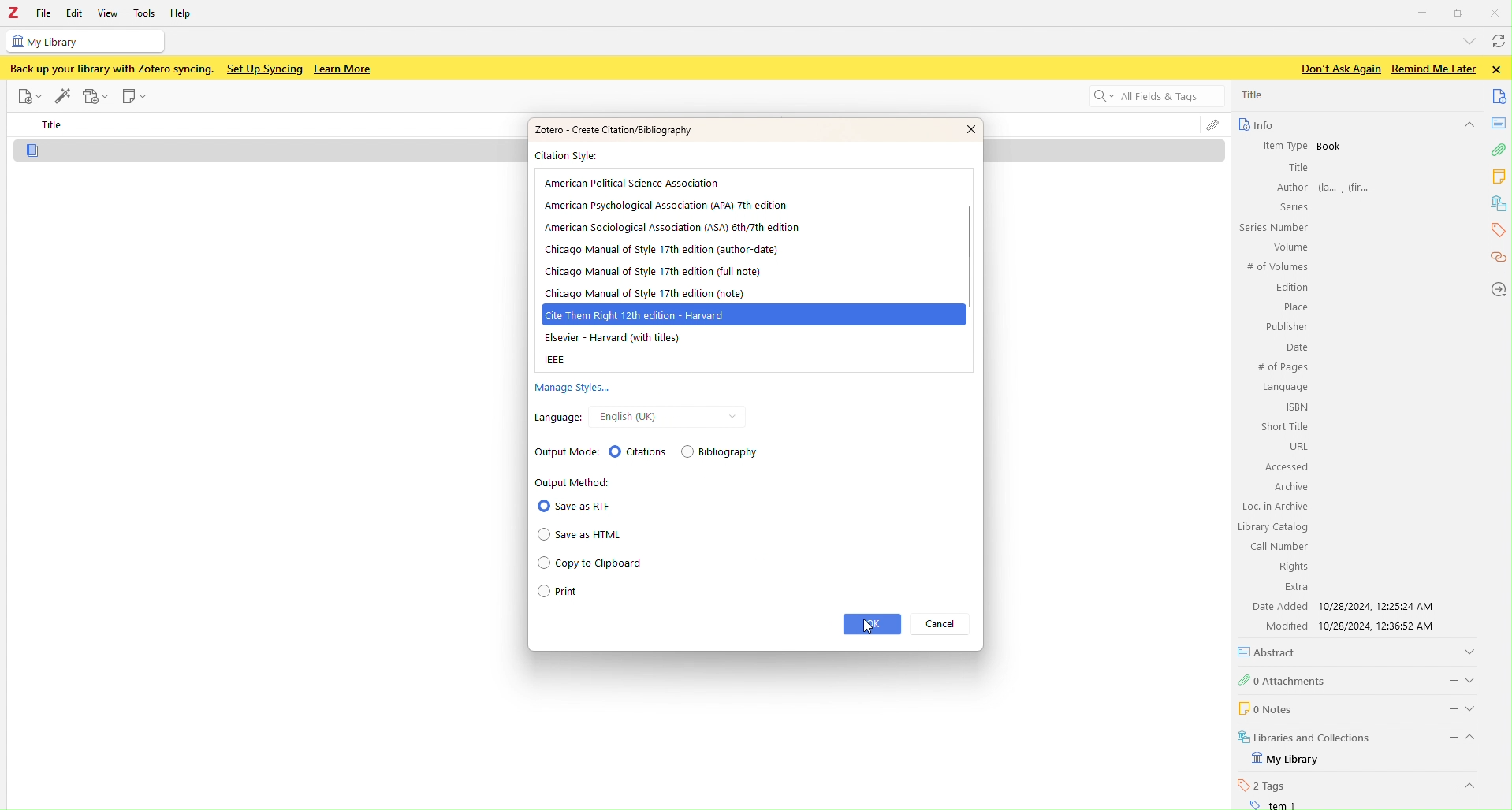 This screenshot has height=810, width=1512. Describe the element at coordinates (1496, 230) in the screenshot. I see `tags` at that location.